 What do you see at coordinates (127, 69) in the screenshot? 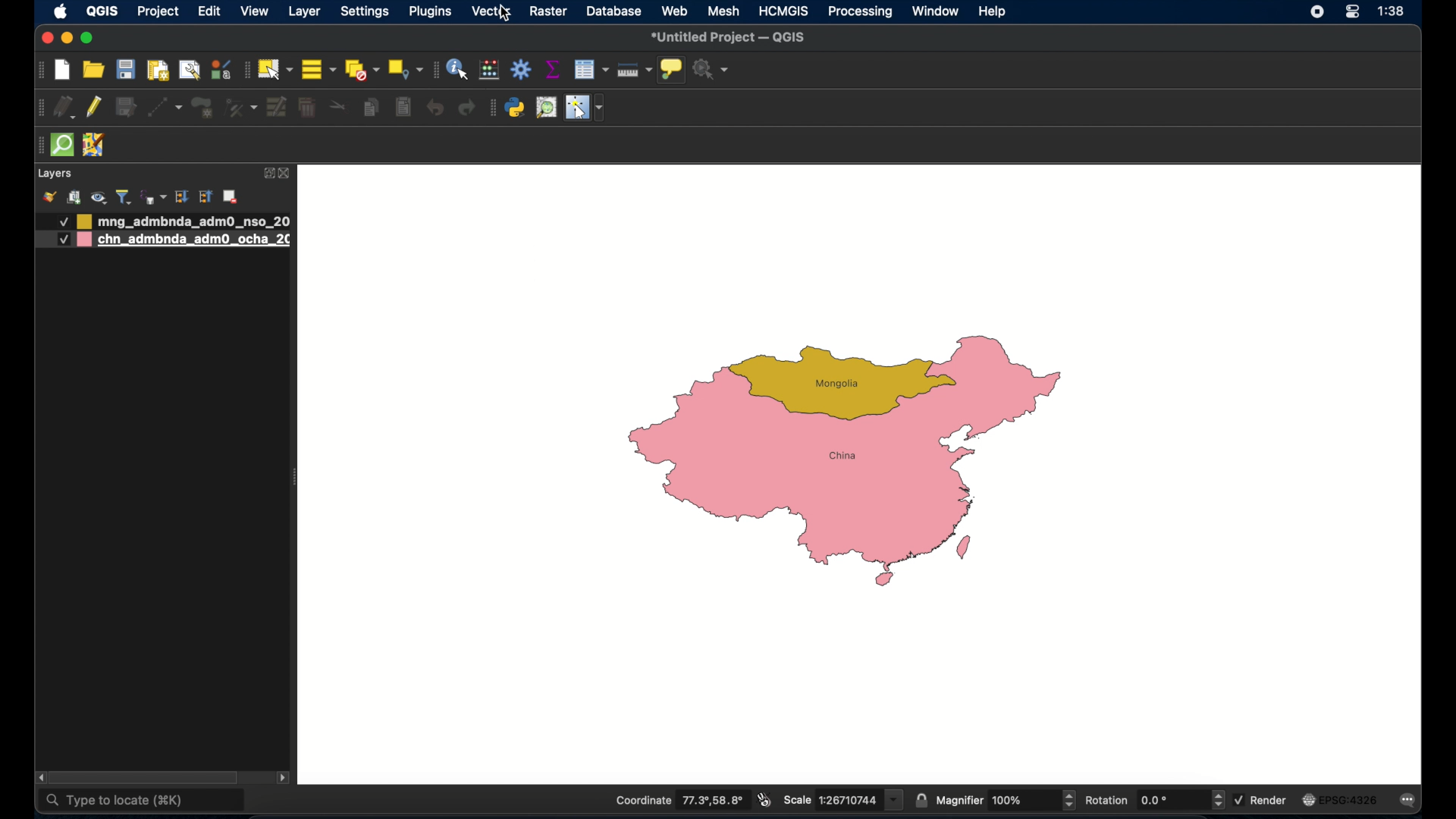
I see `save project` at bounding box center [127, 69].